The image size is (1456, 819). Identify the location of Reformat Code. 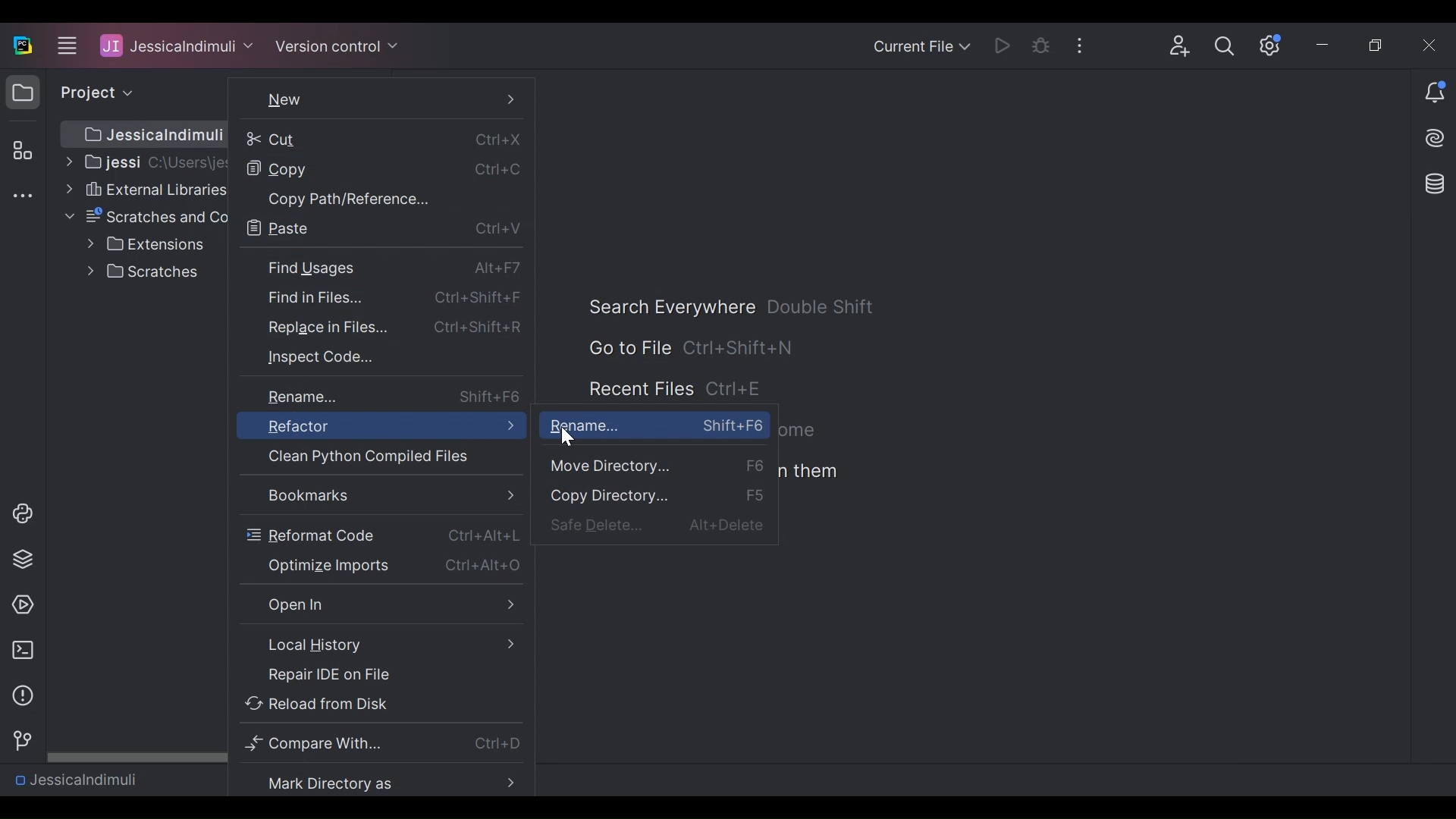
(378, 535).